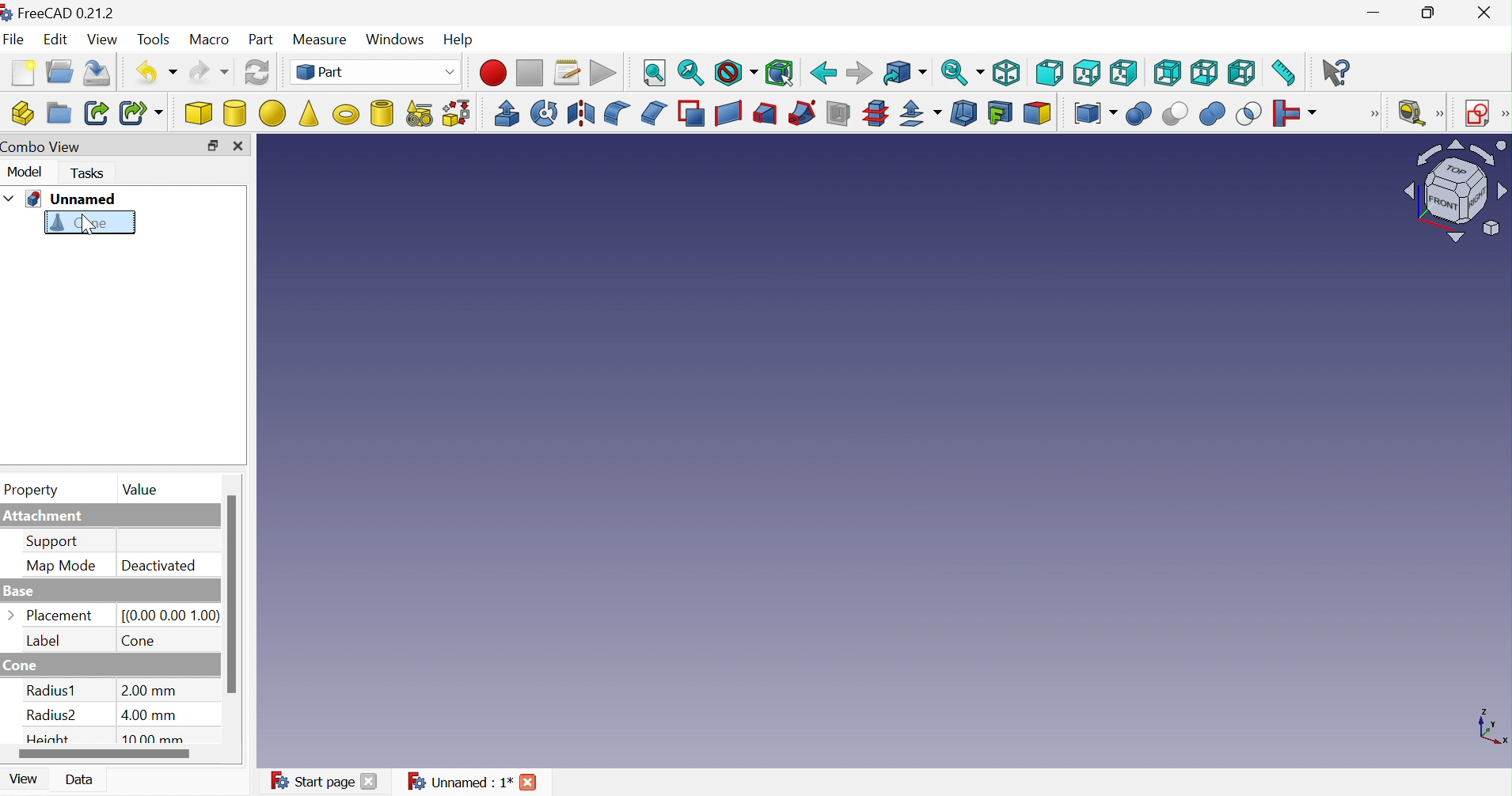 The width and height of the screenshot is (1512, 796). What do you see at coordinates (20, 593) in the screenshot?
I see `Base` at bounding box center [20, 593].